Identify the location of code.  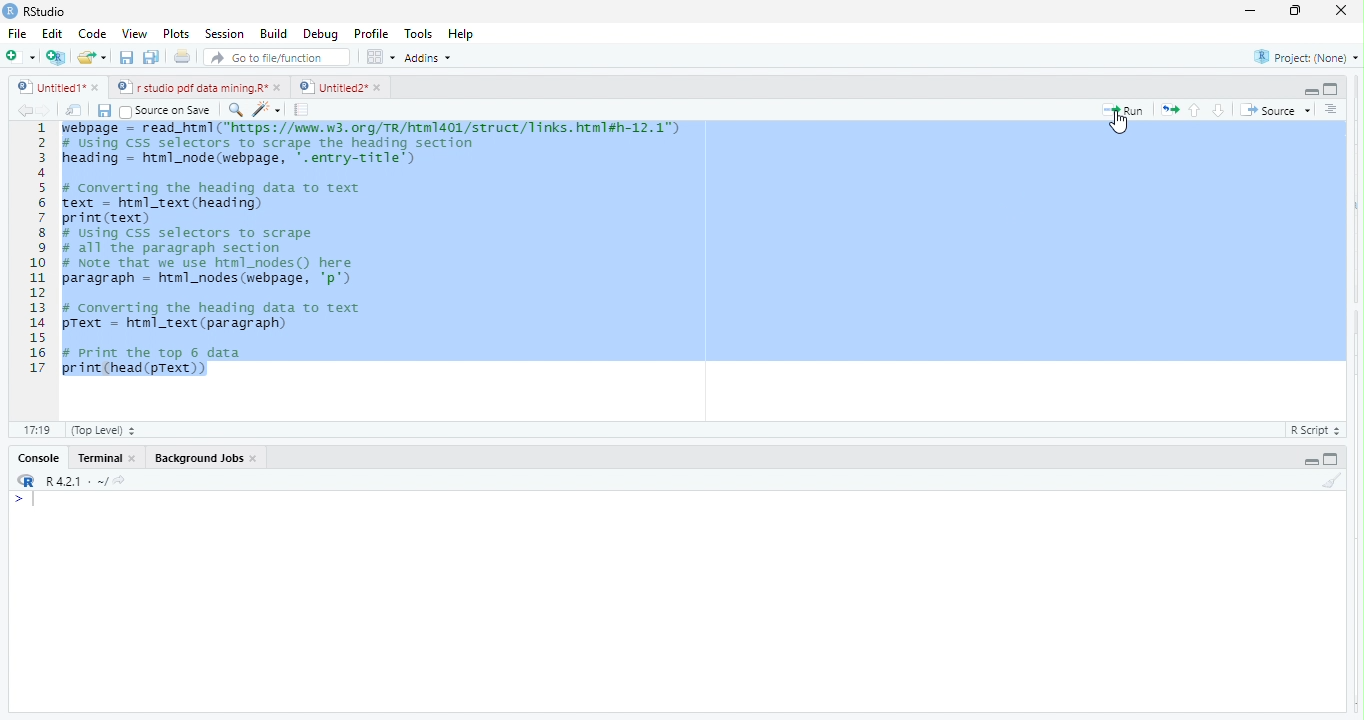
(93, 35).